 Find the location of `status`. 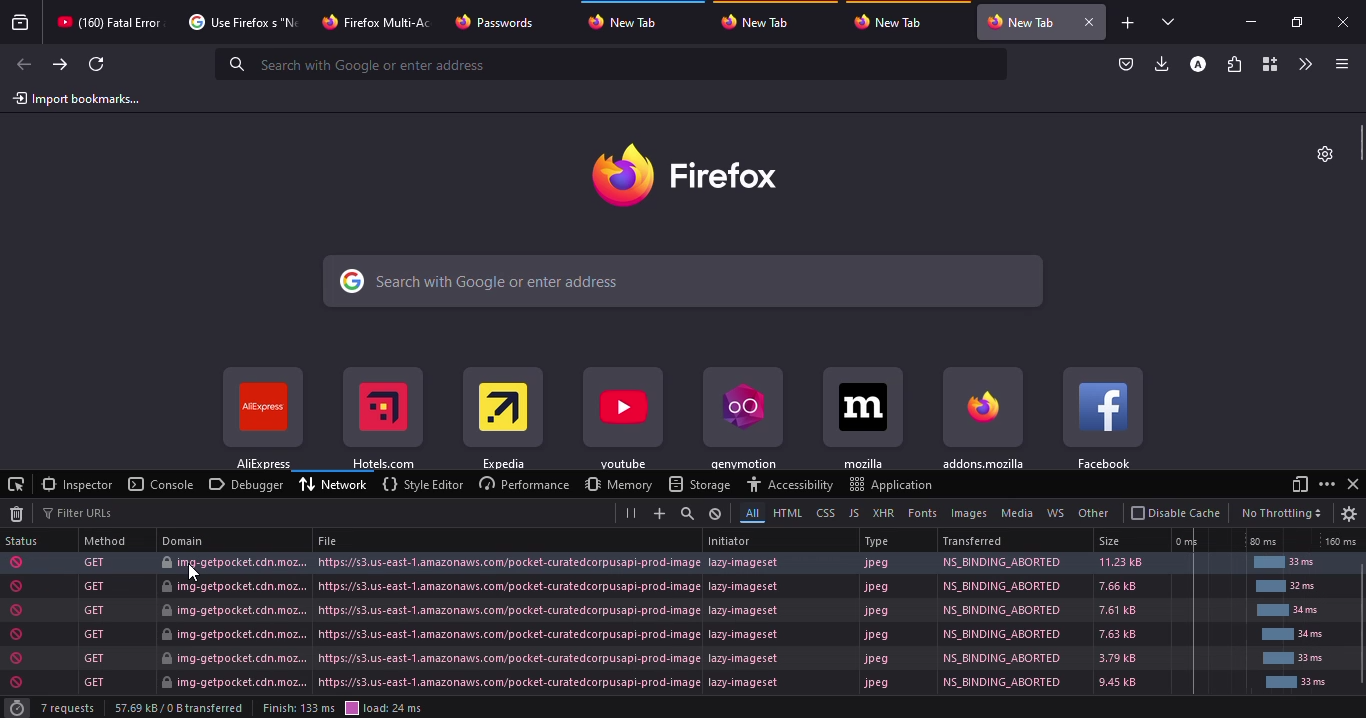

status is located at coordinates (667, 682).